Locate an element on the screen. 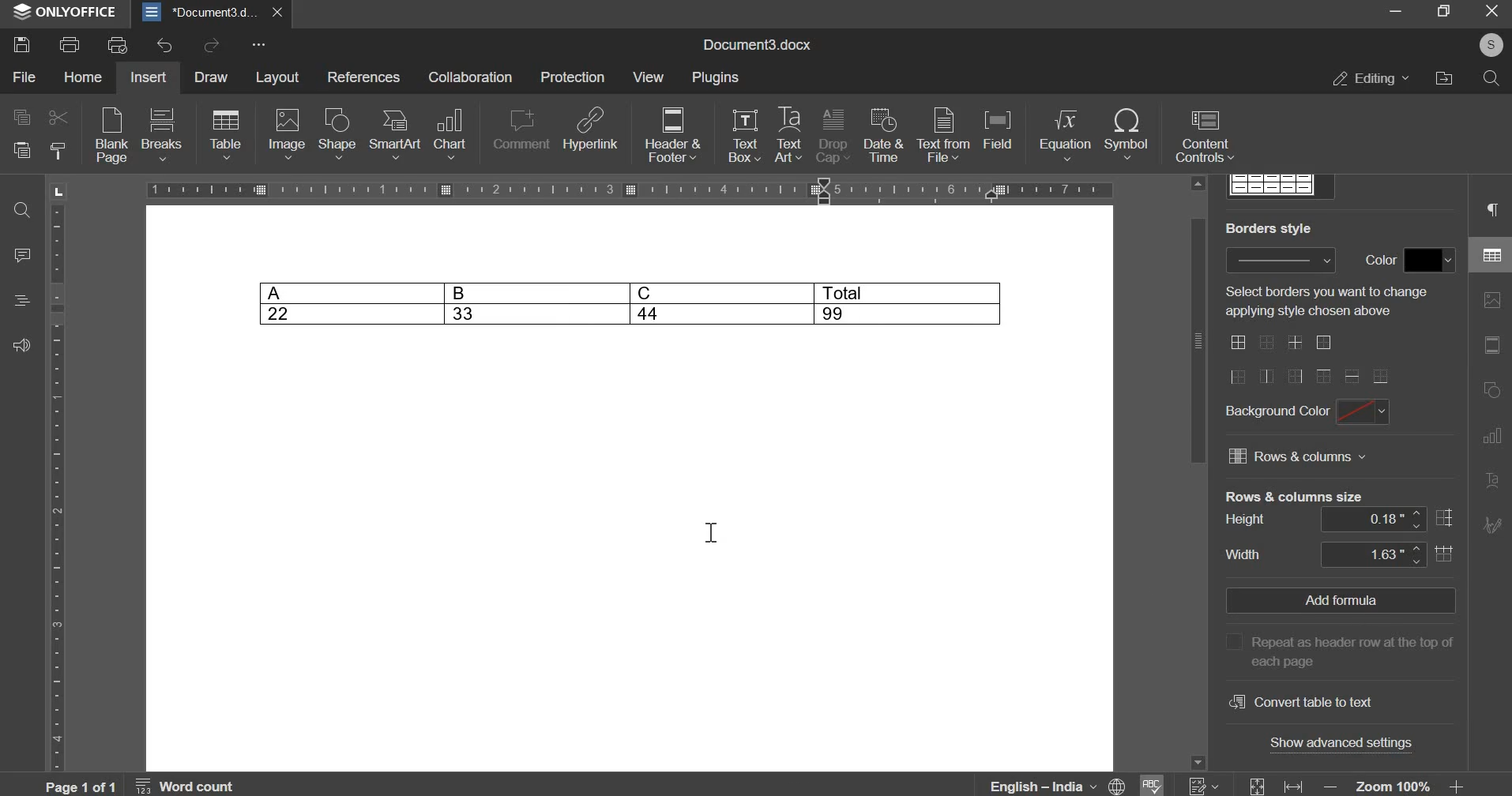  hyperlink is located at coordinates (590, 128).